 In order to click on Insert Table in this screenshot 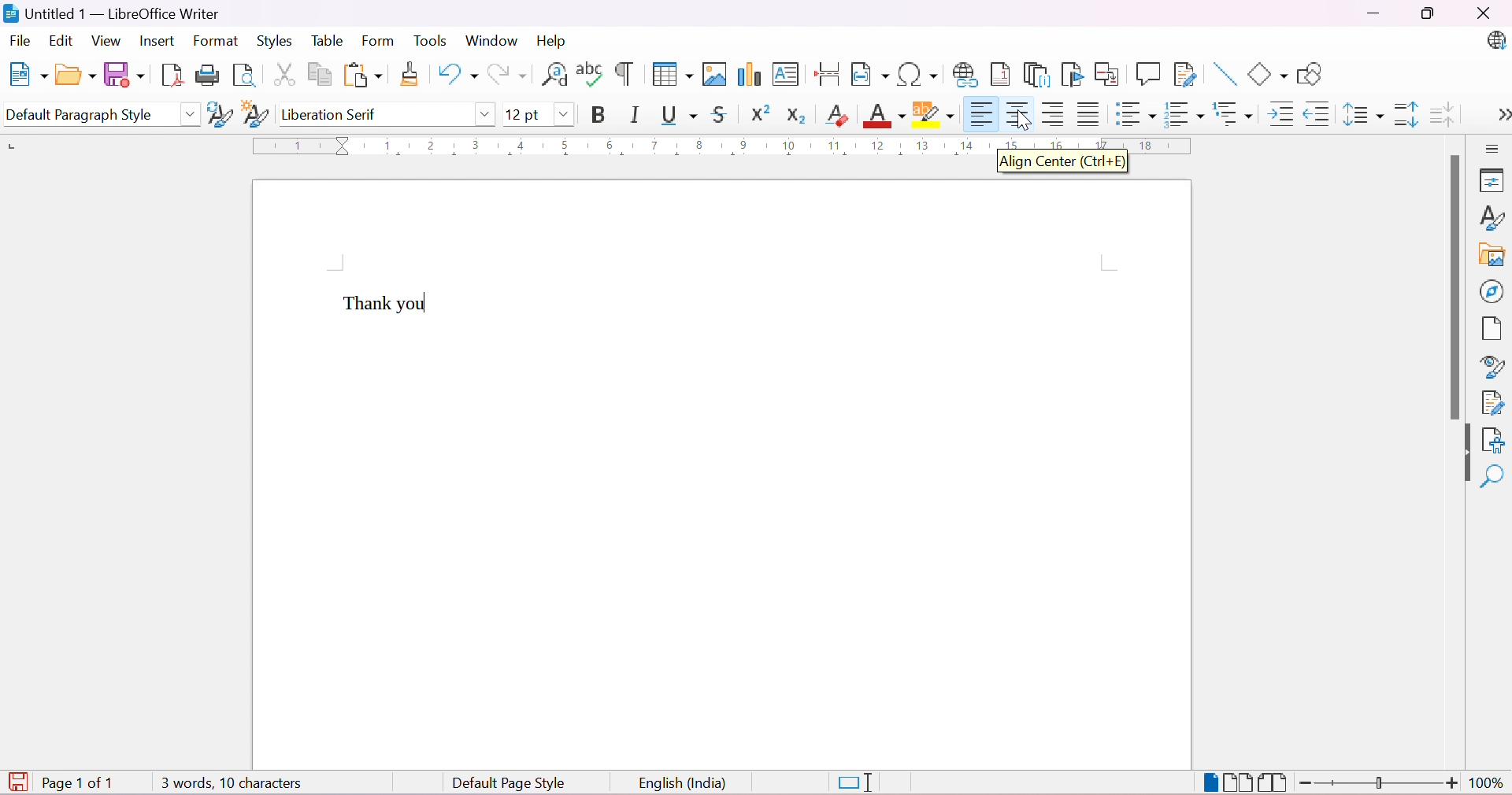, I will do `click(713, 73)`.